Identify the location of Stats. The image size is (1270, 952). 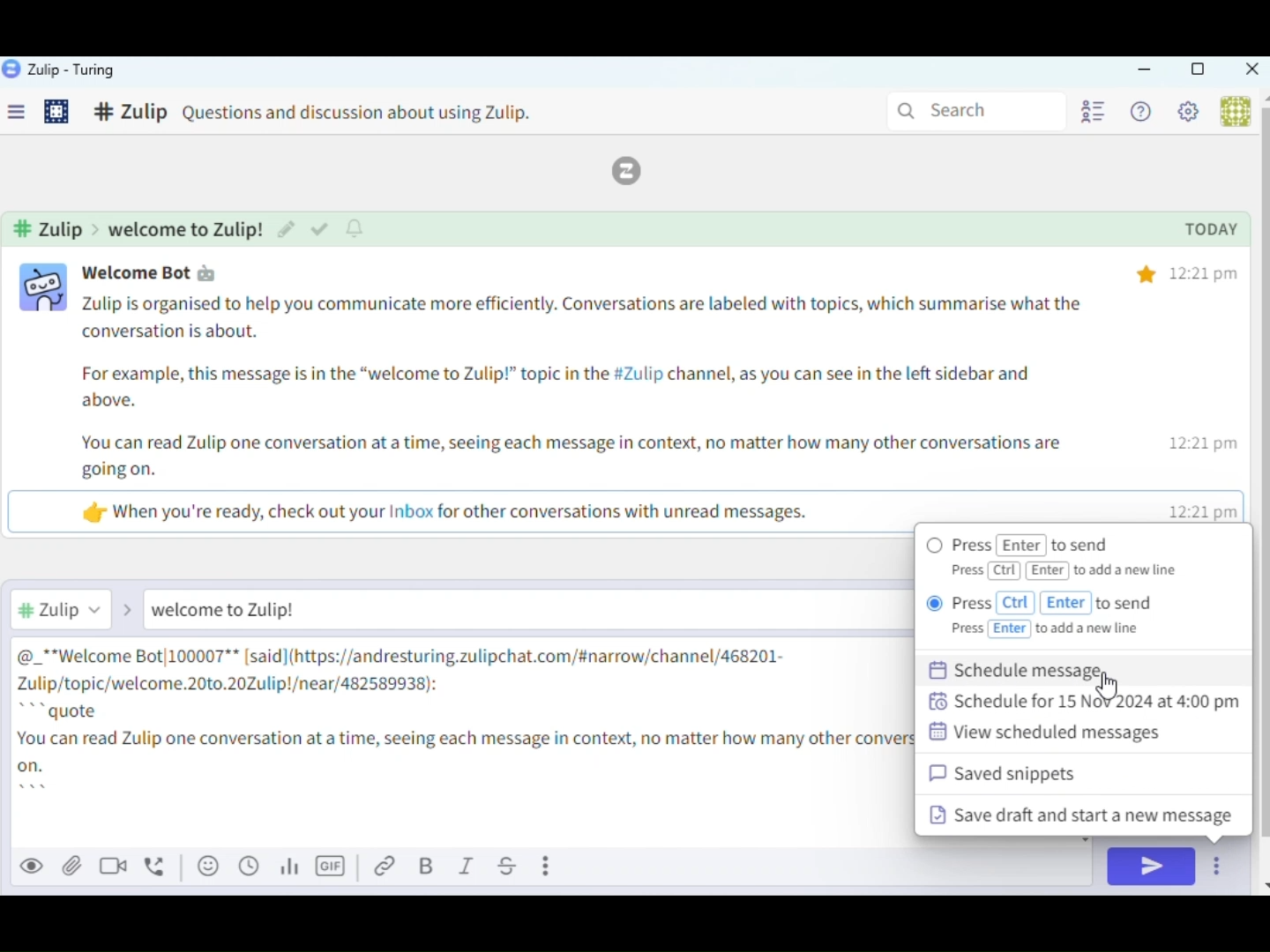
(294, 867).